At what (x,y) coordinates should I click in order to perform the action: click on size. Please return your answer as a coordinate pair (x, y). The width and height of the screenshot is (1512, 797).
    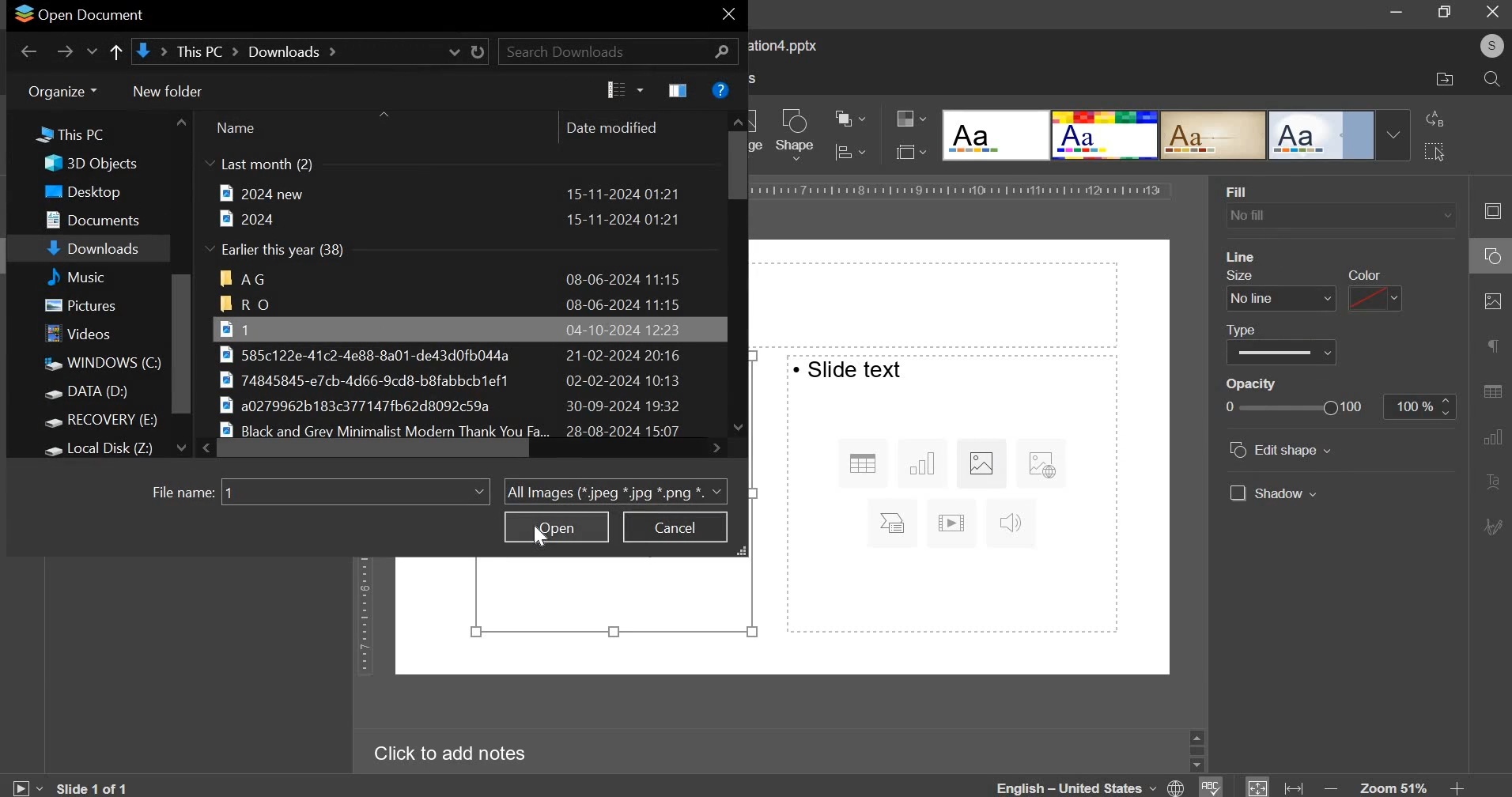
    Looking at the image, I should click on (1246, 275).